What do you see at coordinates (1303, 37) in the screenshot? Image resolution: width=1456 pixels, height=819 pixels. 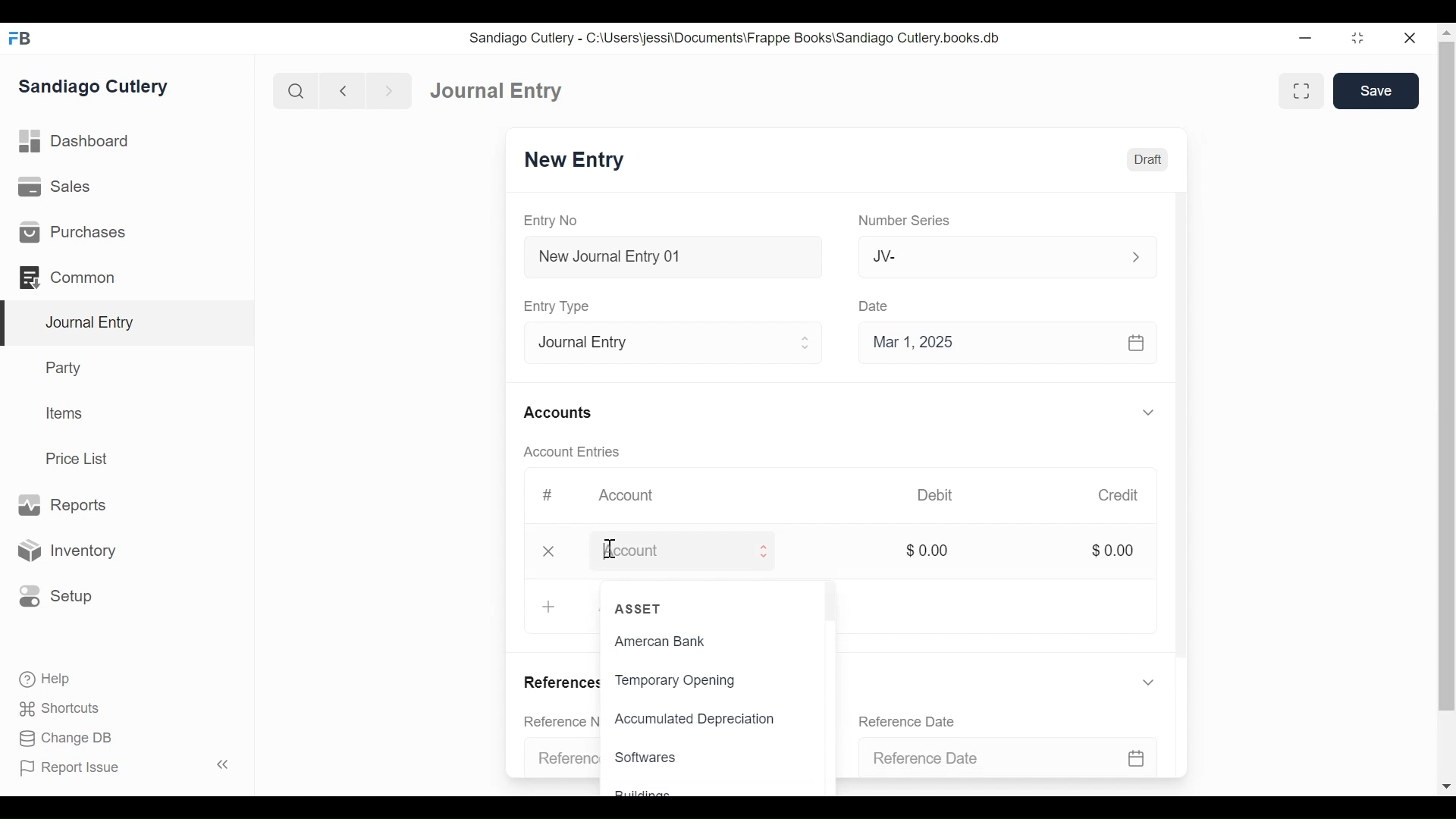 I see `minimize` at bounding box center [1303, 37].